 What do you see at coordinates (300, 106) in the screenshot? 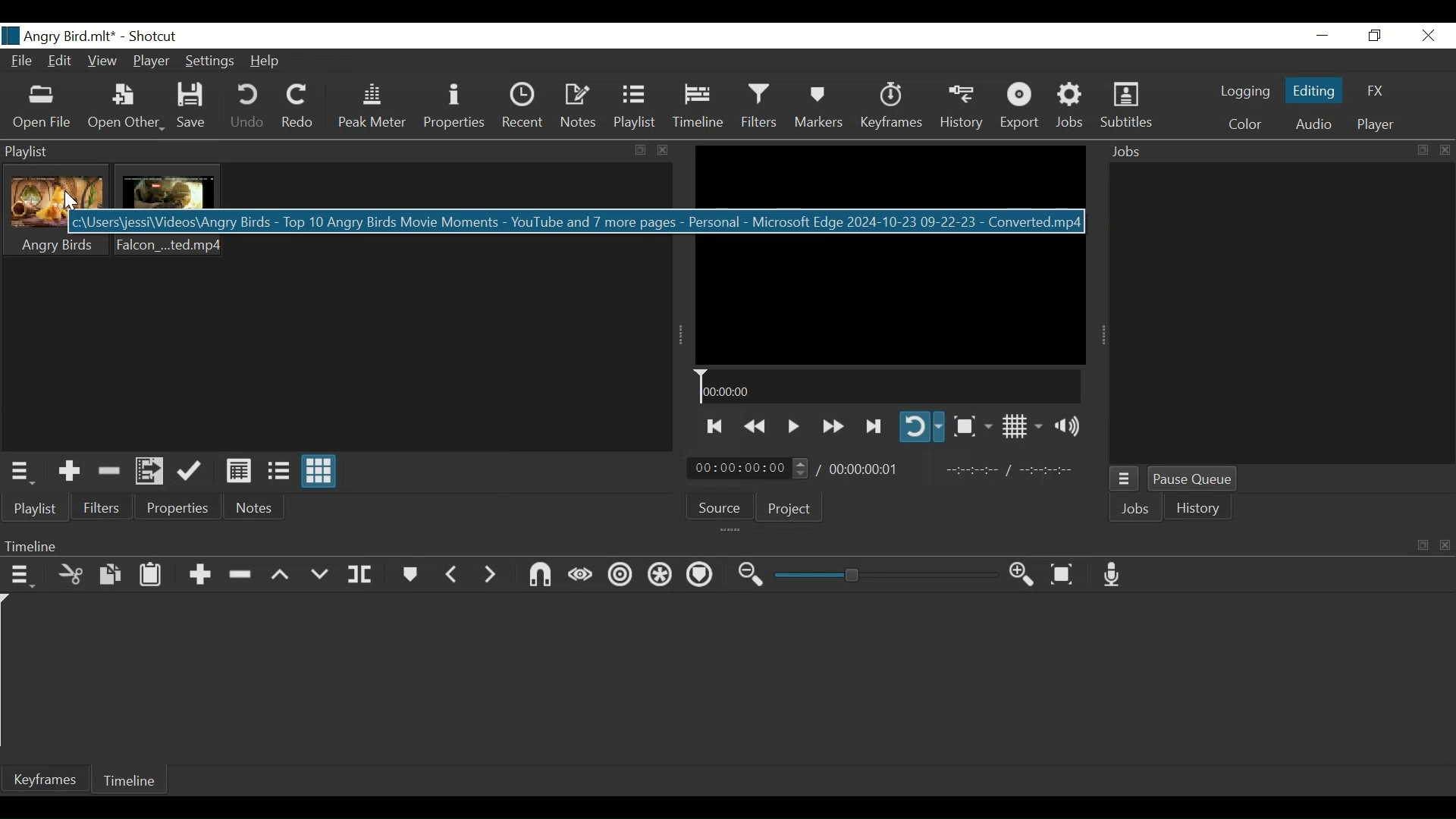
I see `Redo` at bounding box center [300, 106].